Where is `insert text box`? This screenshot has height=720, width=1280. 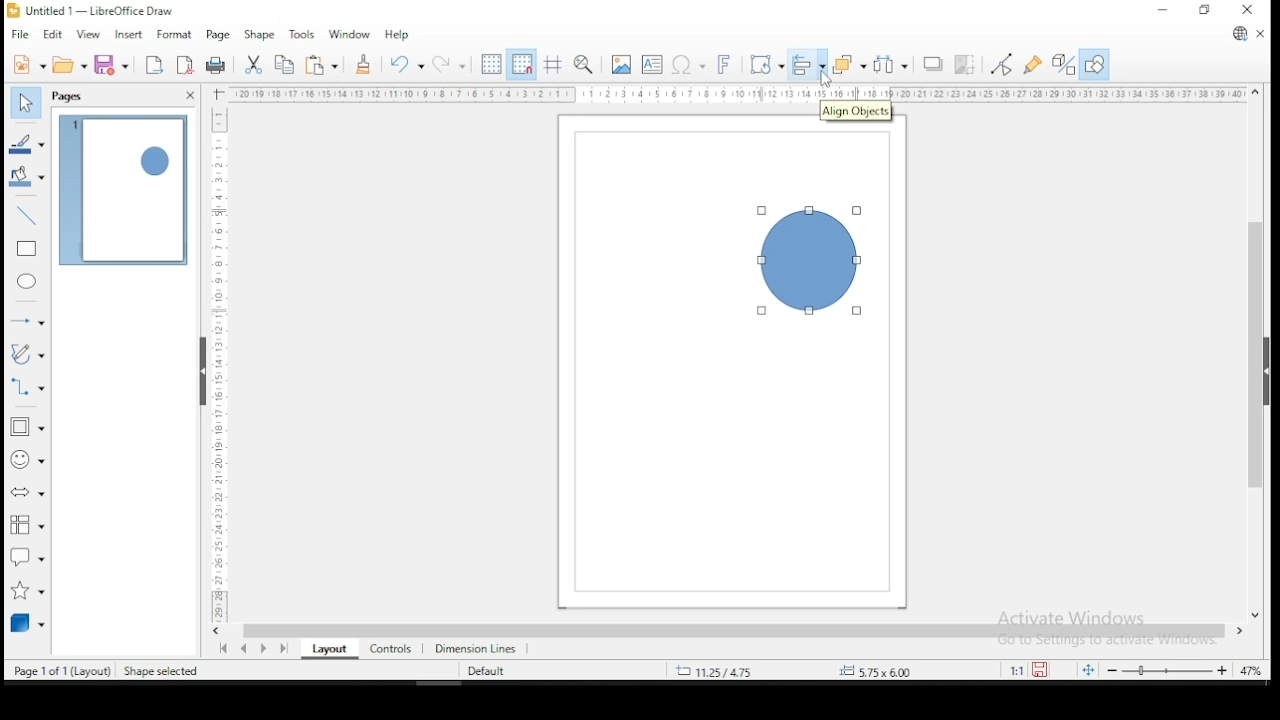
insert text box is located at coordinates (652, 64).